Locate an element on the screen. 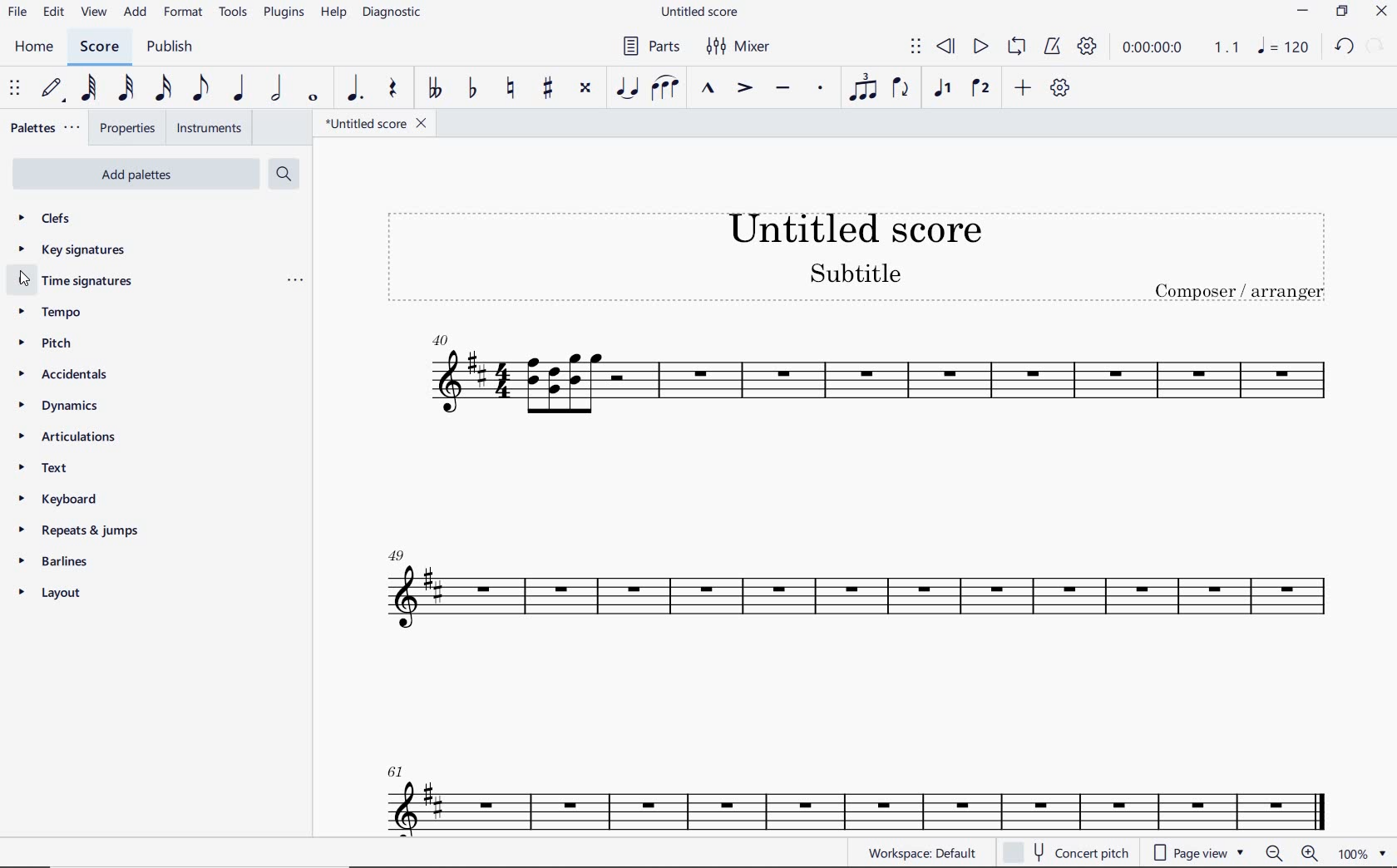  TOGGLE NATURAL is located at coordinates (513, 89).